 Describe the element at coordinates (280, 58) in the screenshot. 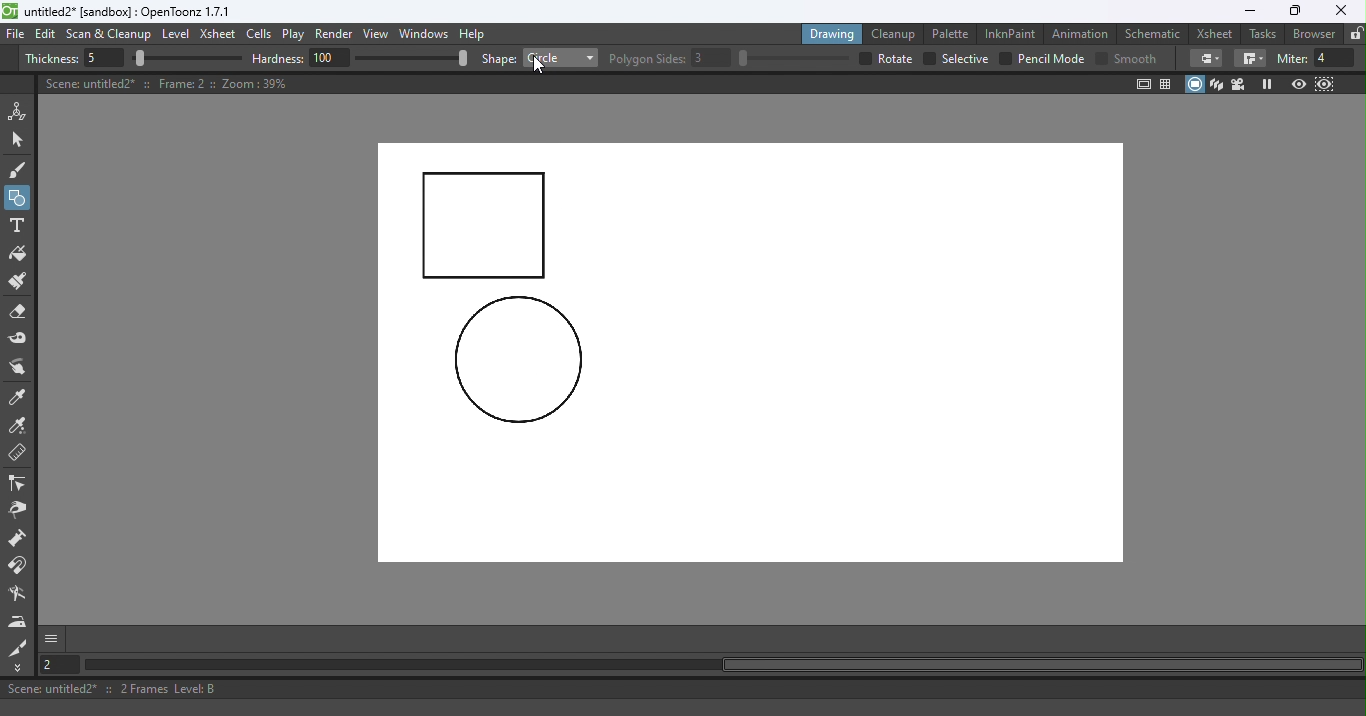

I see `hardness` at that location.